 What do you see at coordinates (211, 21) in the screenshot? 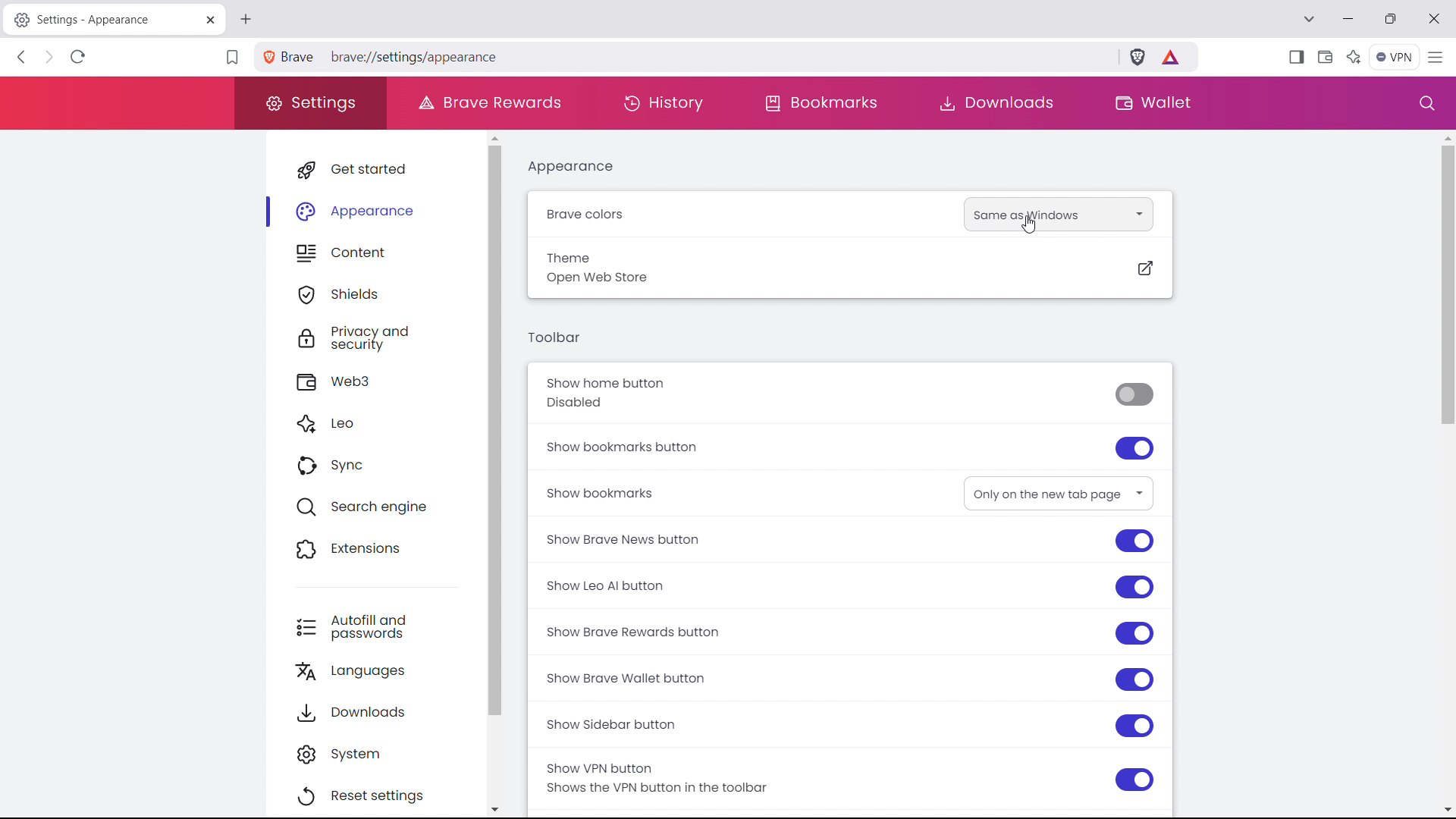
I see `close tab` at bounding box center [211, 21].